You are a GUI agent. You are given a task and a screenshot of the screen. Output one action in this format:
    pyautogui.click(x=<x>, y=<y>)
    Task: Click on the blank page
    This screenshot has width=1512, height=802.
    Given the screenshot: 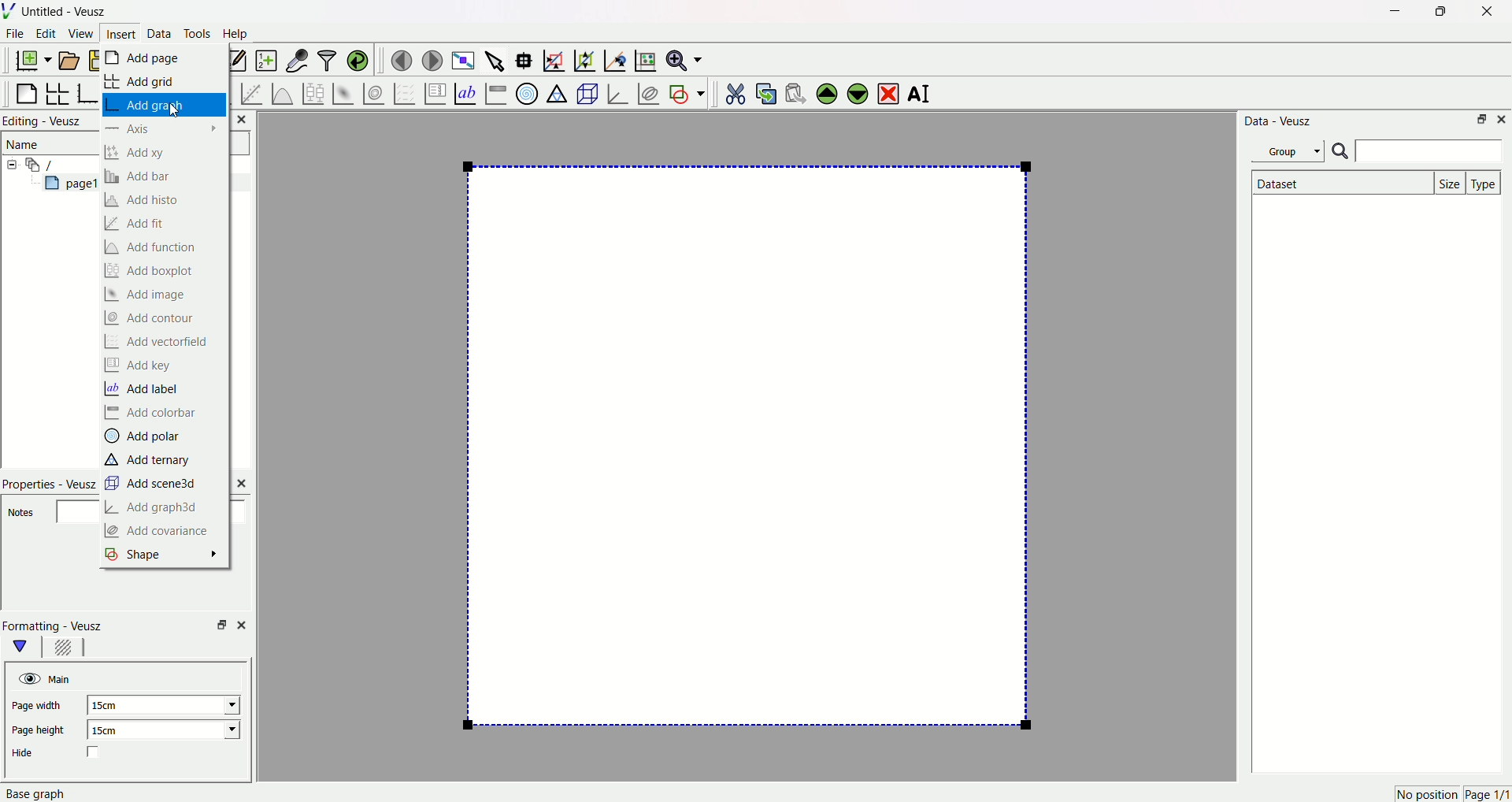 What is the action you would take?
    pyautogui.click(x=28, y=90)
    